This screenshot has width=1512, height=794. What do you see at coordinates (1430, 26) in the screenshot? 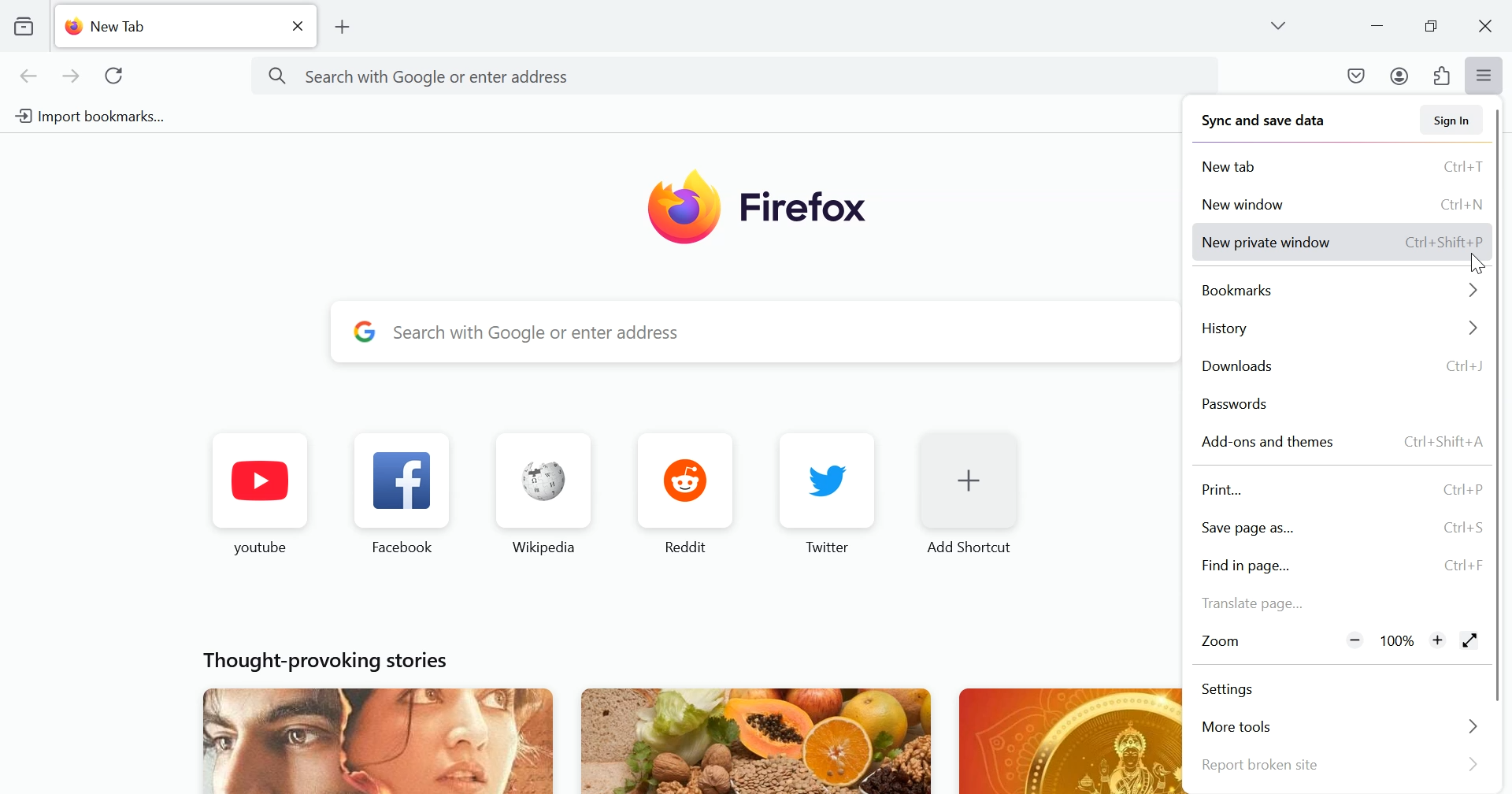
I see `Maximize` at bounding box center [1430, 26].